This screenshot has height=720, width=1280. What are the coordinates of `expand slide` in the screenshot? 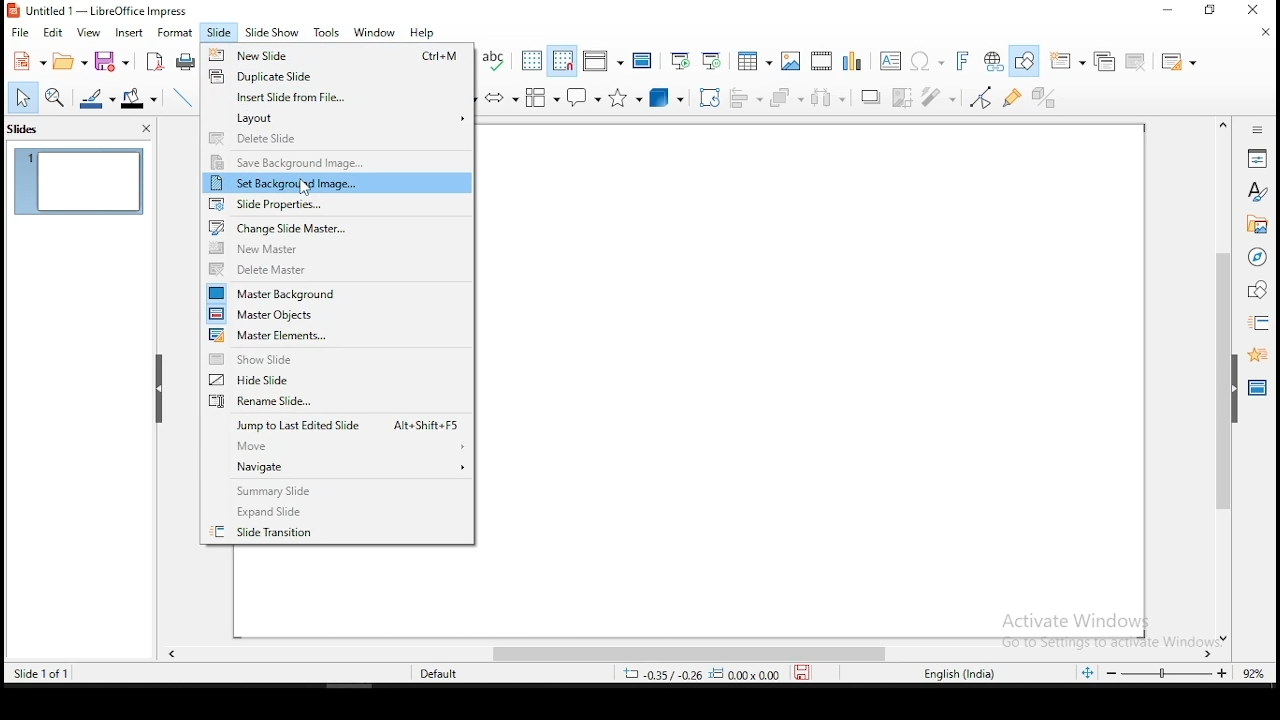 It's located at (341, 511).